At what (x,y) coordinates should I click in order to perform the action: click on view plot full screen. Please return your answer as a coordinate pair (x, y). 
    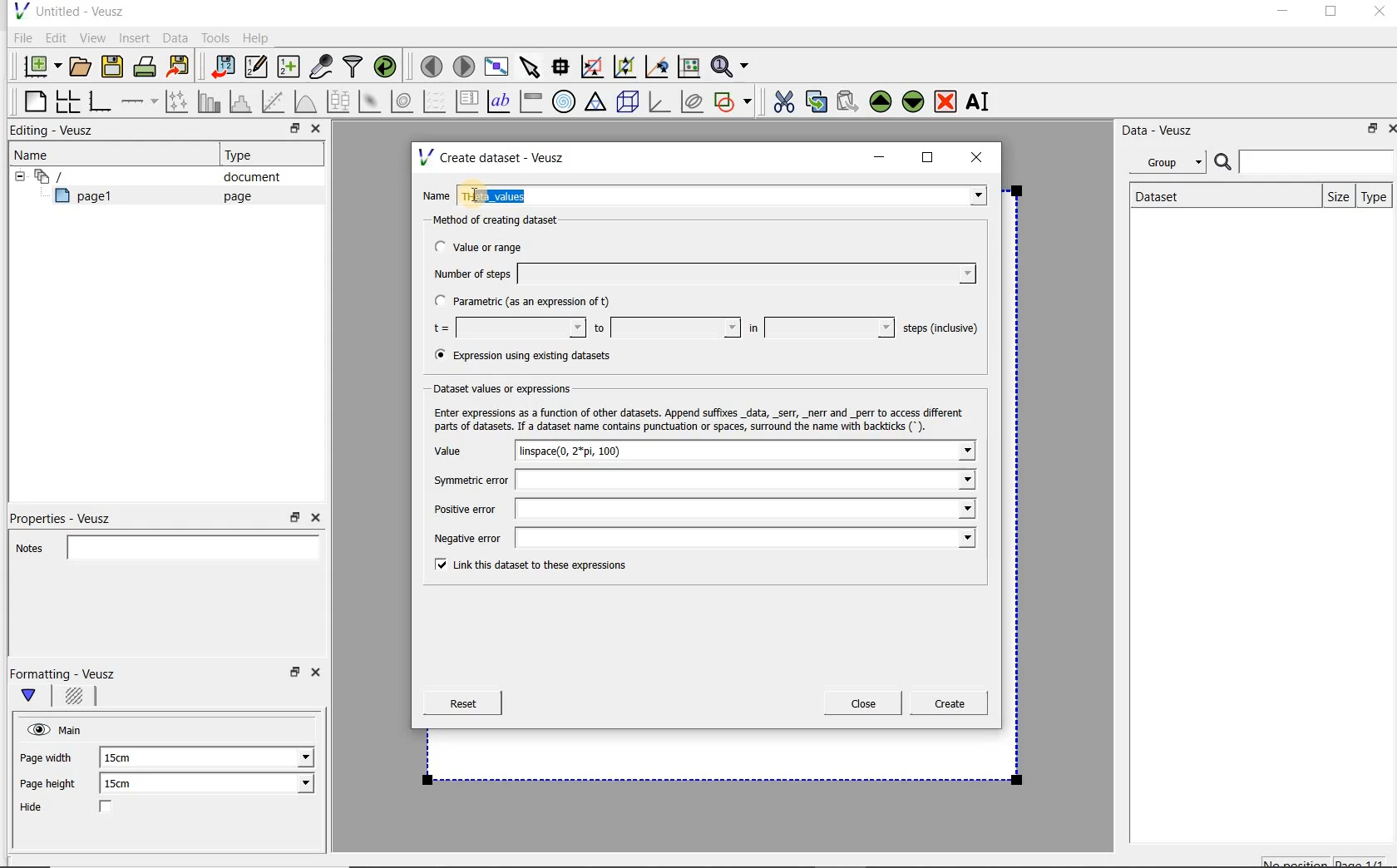
    Looking at the image, I should click on (495, 65).